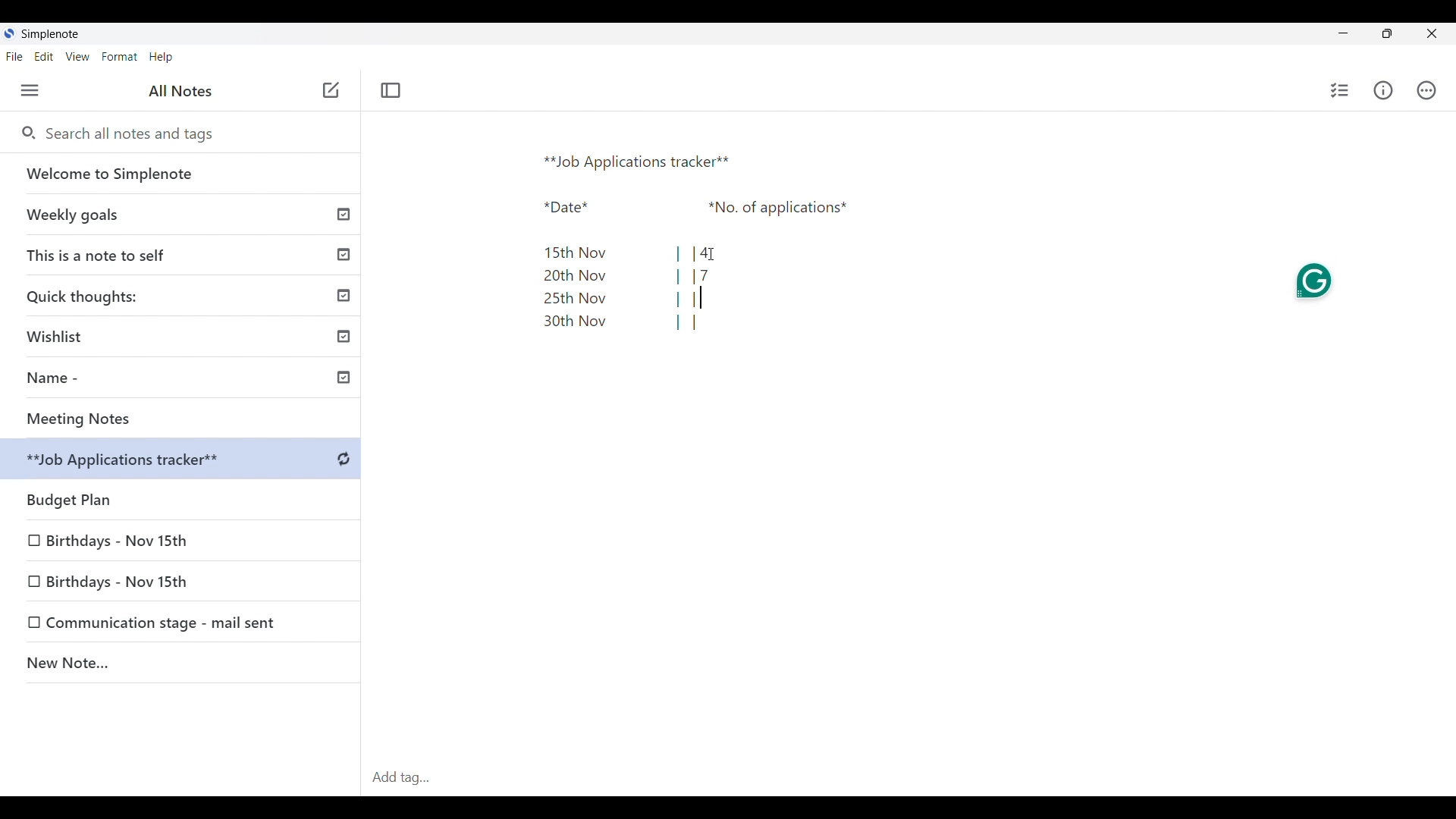  I want to click on Minimize, so click(1343, 33).